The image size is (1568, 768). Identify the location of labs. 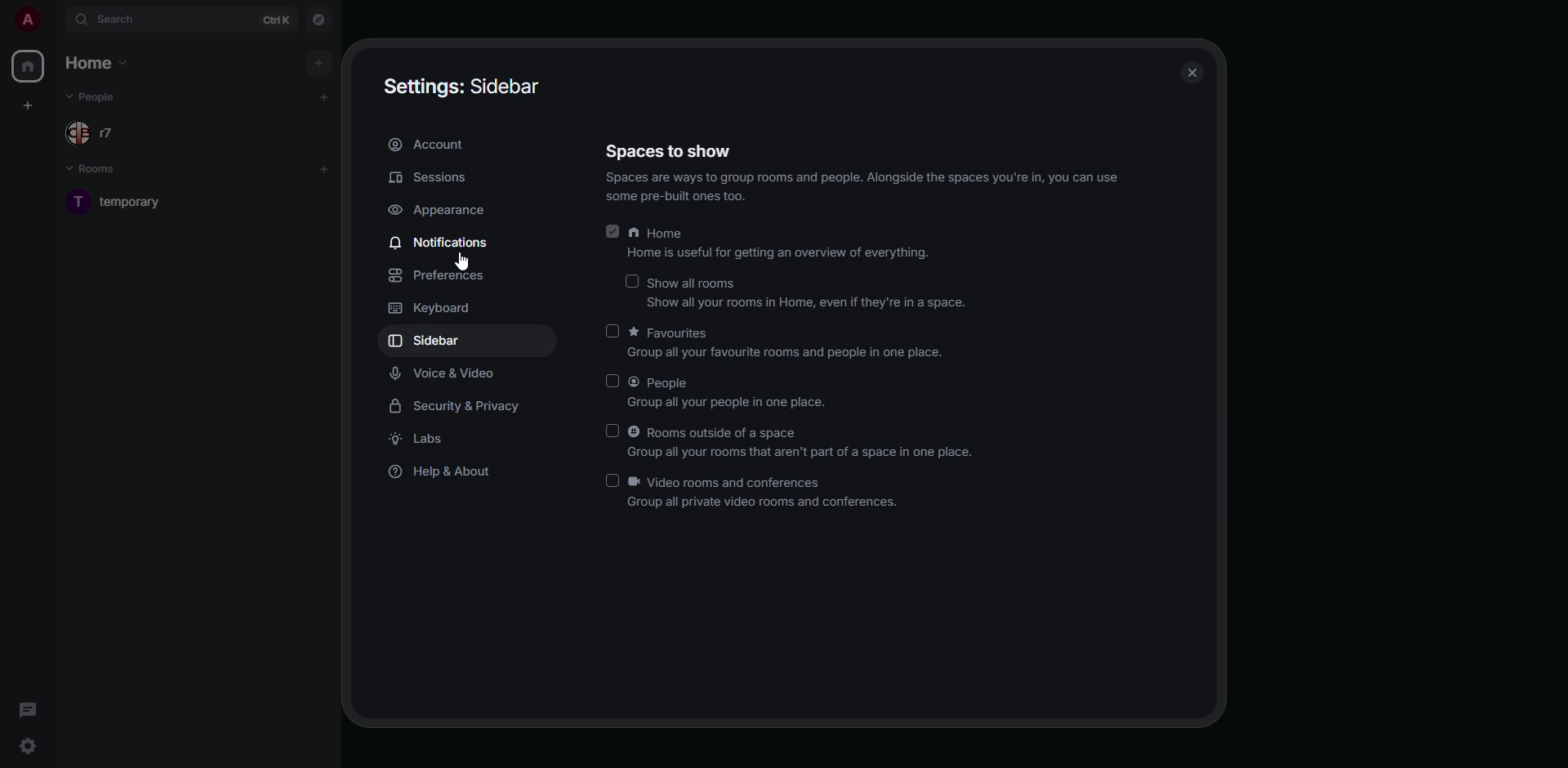
(423, 441).